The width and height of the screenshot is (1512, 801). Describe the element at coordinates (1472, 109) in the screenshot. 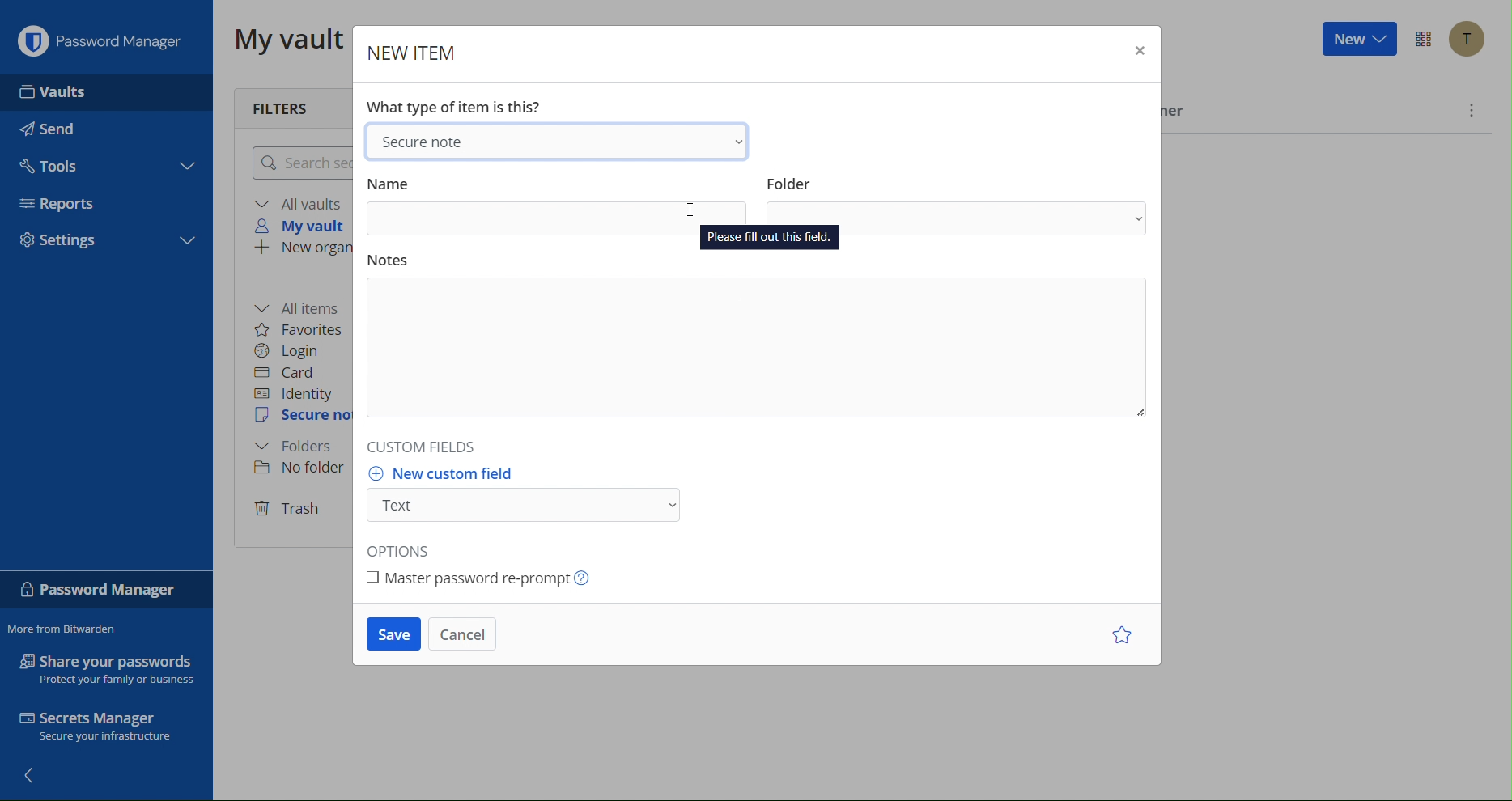

I see `More` at that location.